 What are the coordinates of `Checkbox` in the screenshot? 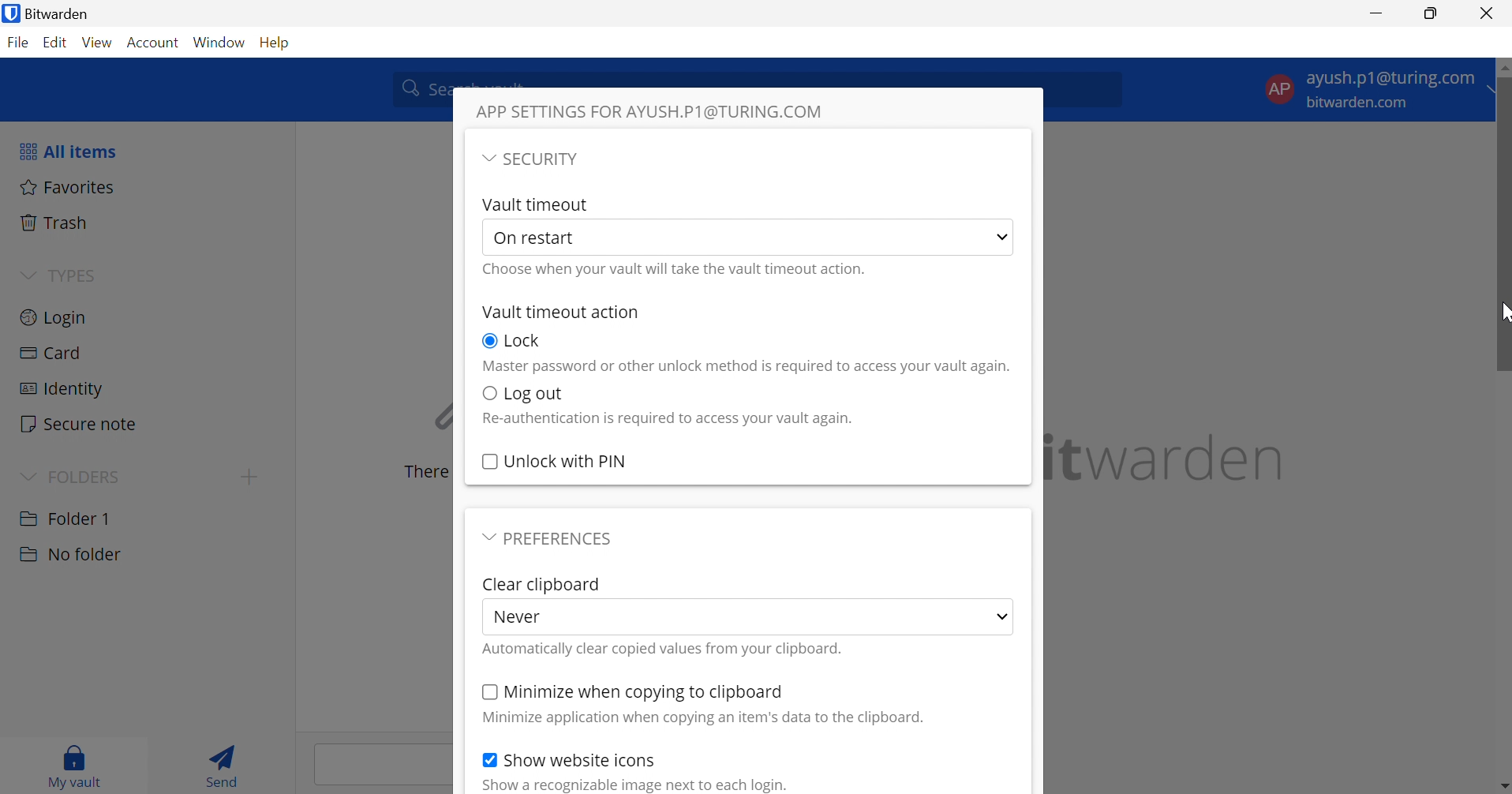 It's located at (488, 342).